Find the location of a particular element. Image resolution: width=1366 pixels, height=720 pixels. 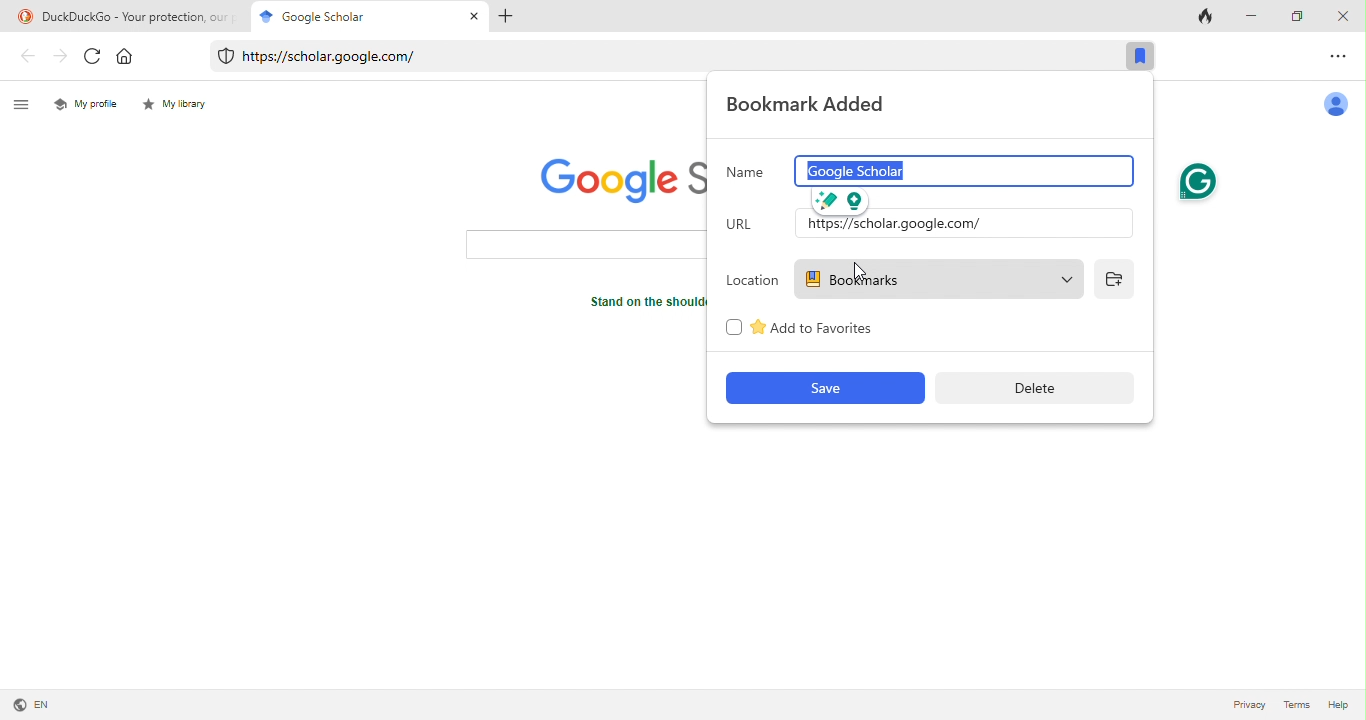

open assistant is located at coordinates (857, 201).